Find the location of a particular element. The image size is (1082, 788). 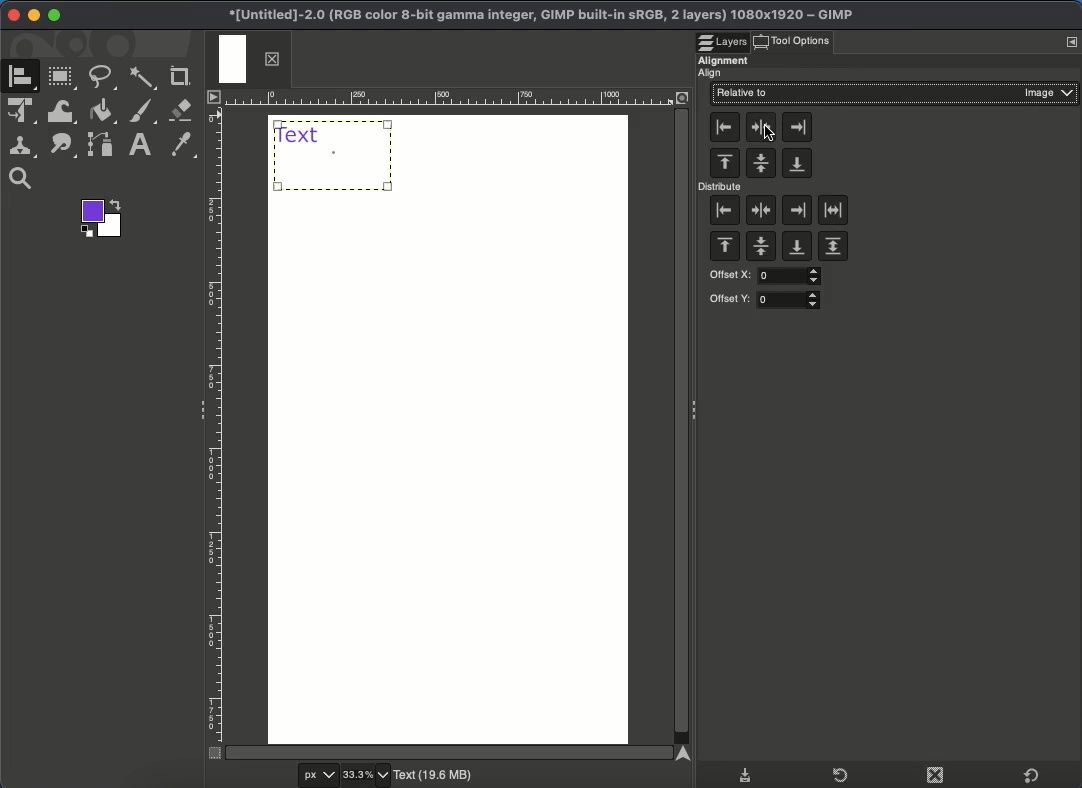

Distribute is located at coordinates (722, 188).